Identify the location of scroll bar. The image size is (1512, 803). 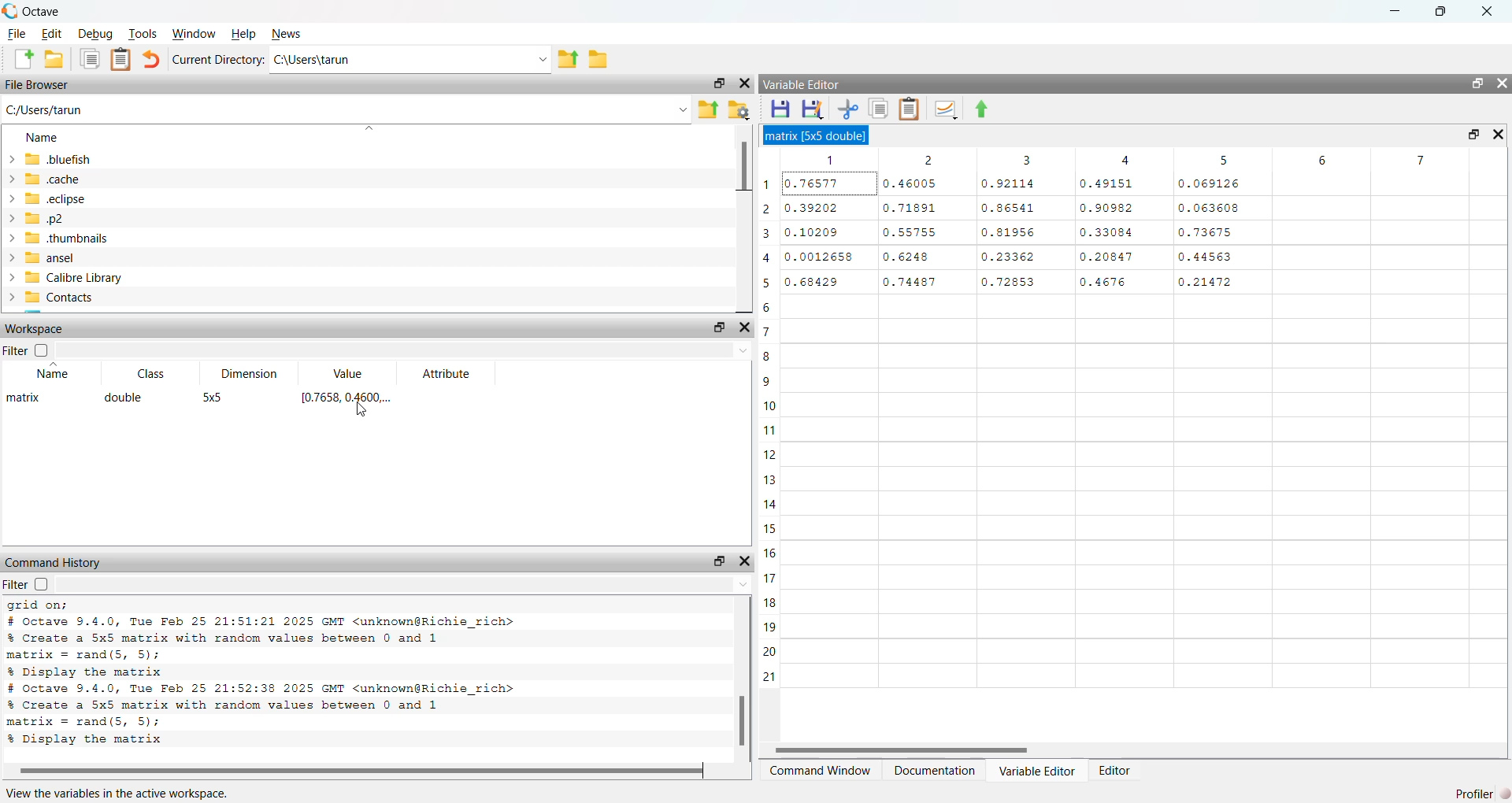
(1128, 749).